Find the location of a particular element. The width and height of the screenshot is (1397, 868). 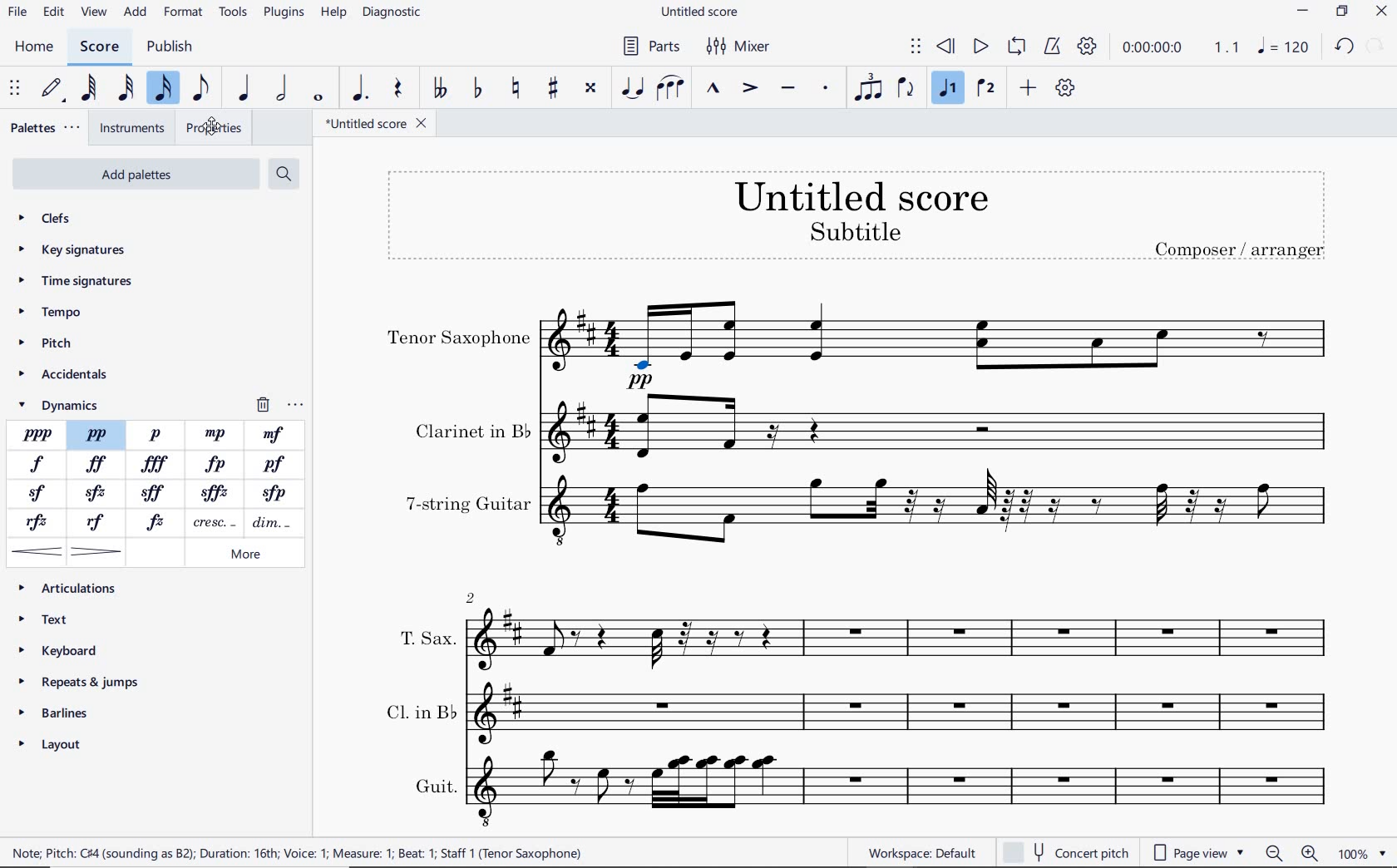

MORE is located at coordinates (243, 555).